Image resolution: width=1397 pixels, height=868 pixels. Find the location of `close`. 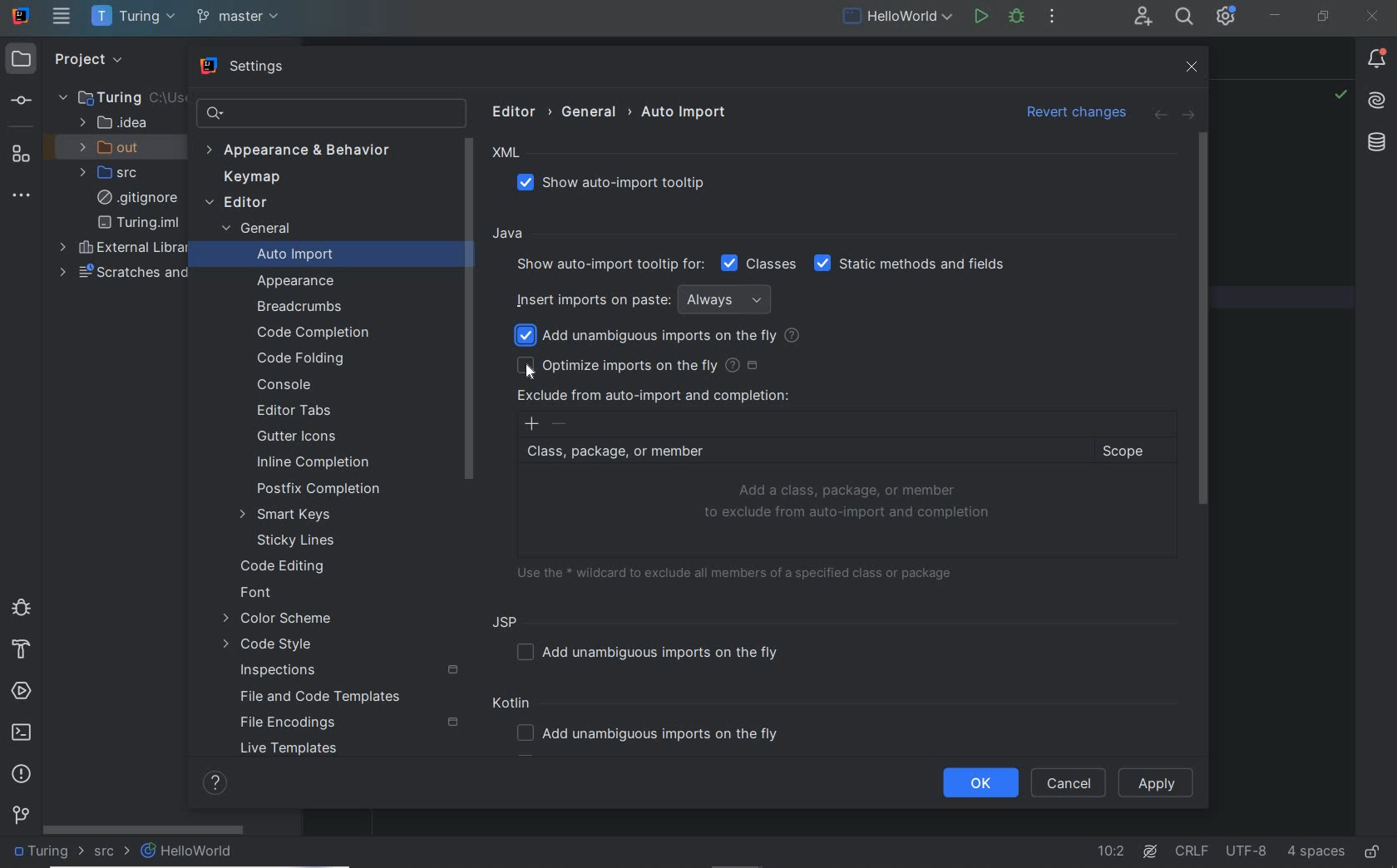

close is located at coordinates (1194, 67).